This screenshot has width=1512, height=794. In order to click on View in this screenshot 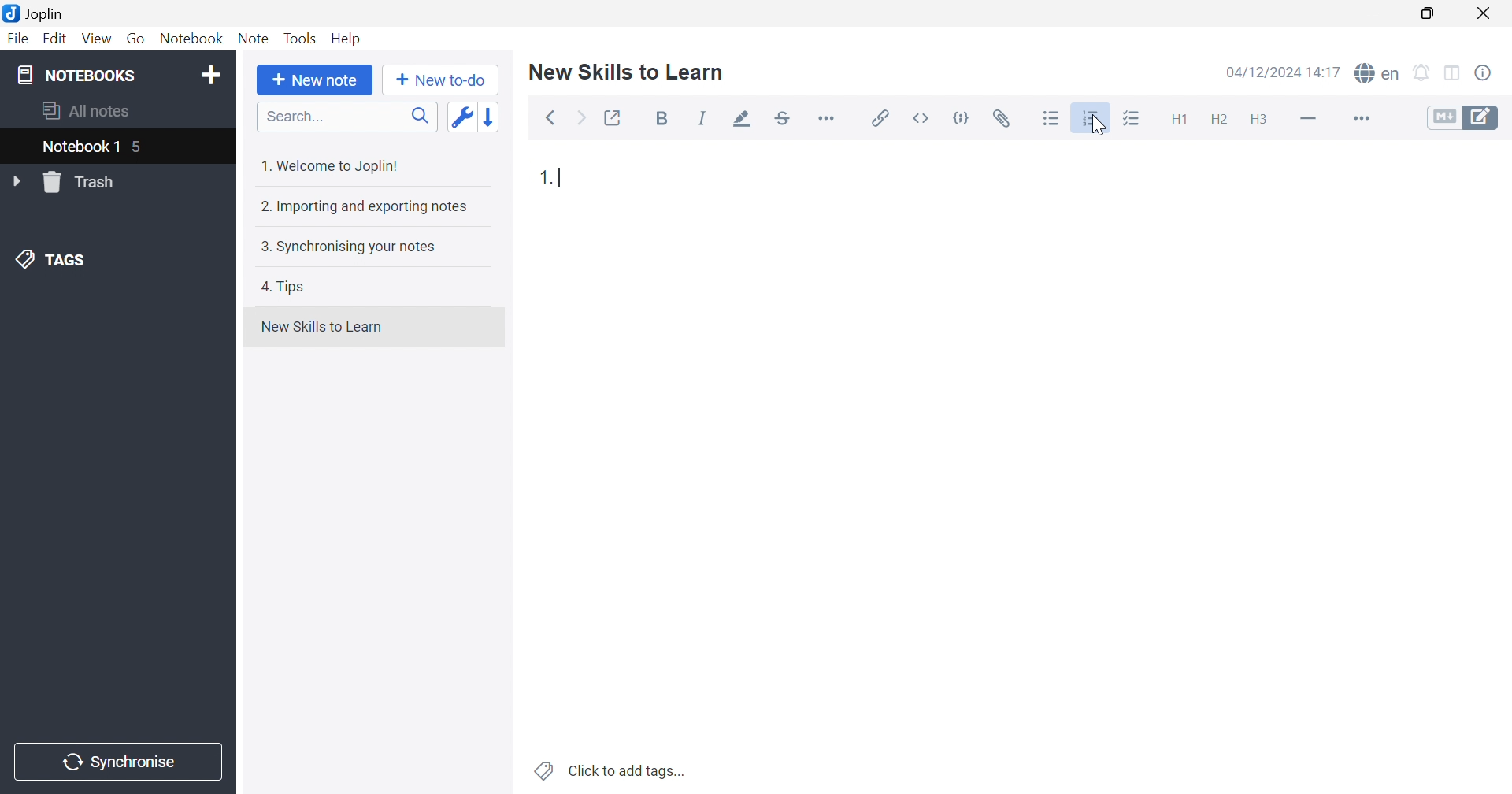, I will do `click(94, 39)`.